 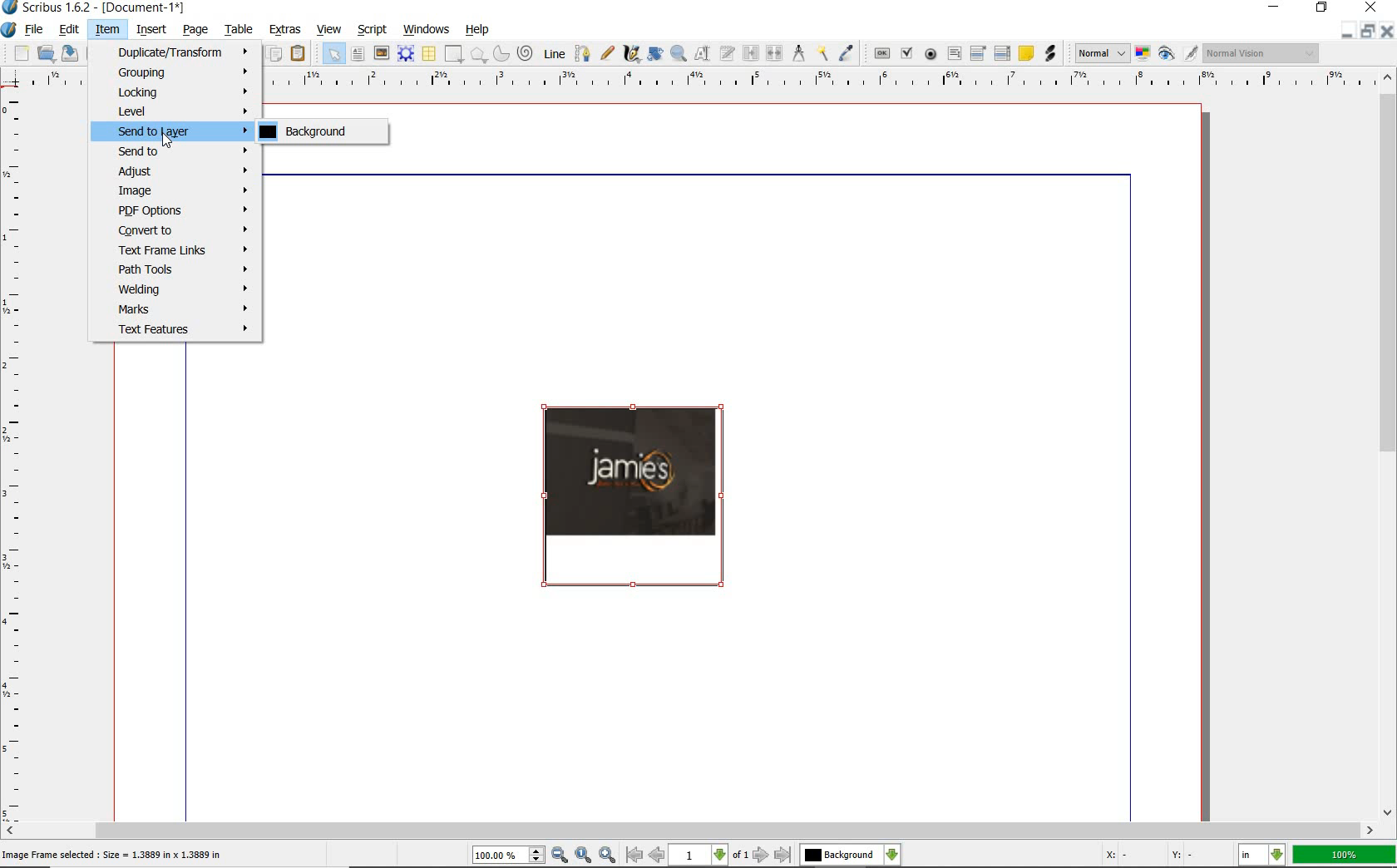 What do you see at coordinates (113, 854) in the screenshot?
I see `Image Frame selected: Size = 1.3889 in x 1.3889 in` at bounding box center [113, 854].